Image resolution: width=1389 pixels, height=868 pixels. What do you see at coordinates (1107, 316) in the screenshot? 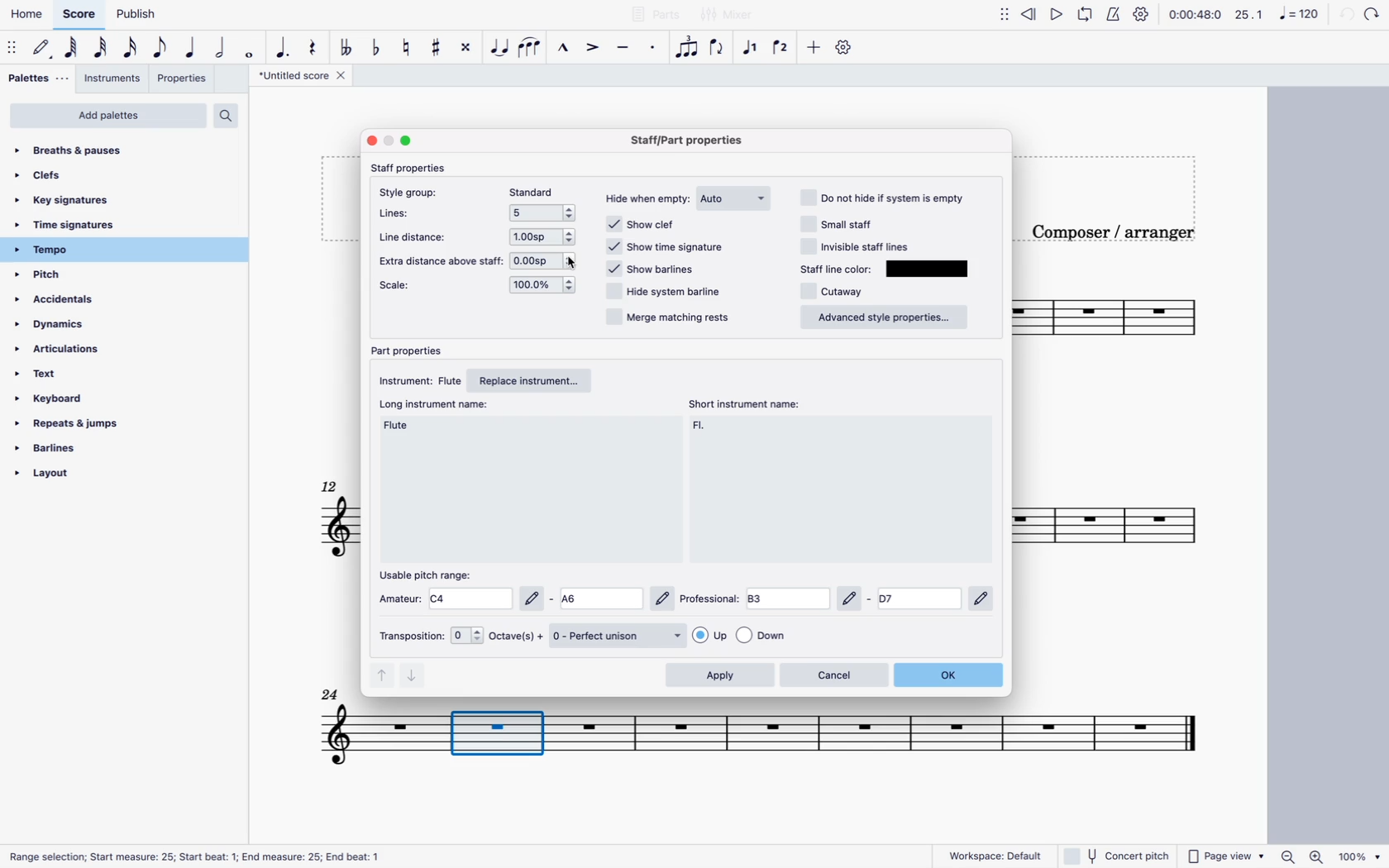
I see `score` at bounding box center [1107, 316].